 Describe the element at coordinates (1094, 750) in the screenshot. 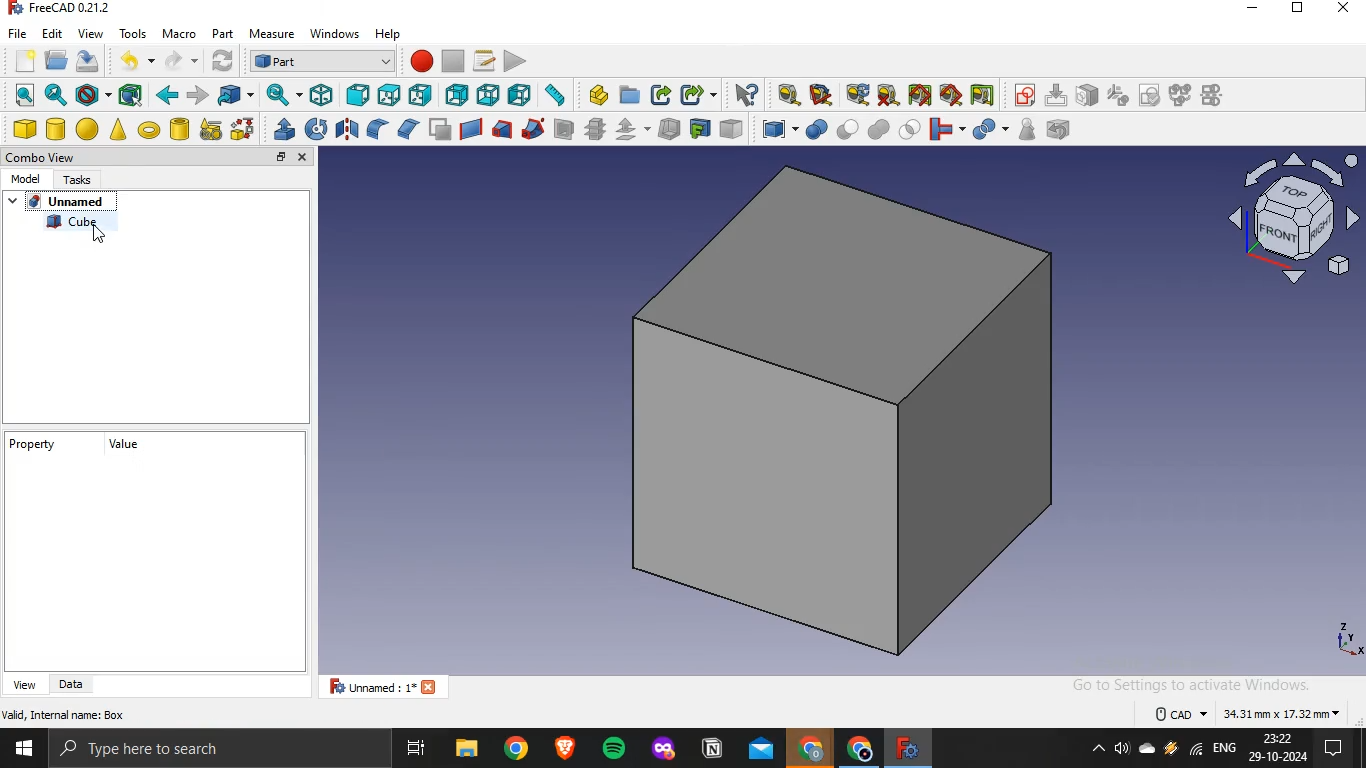

I see `show hidden icons` at that location.